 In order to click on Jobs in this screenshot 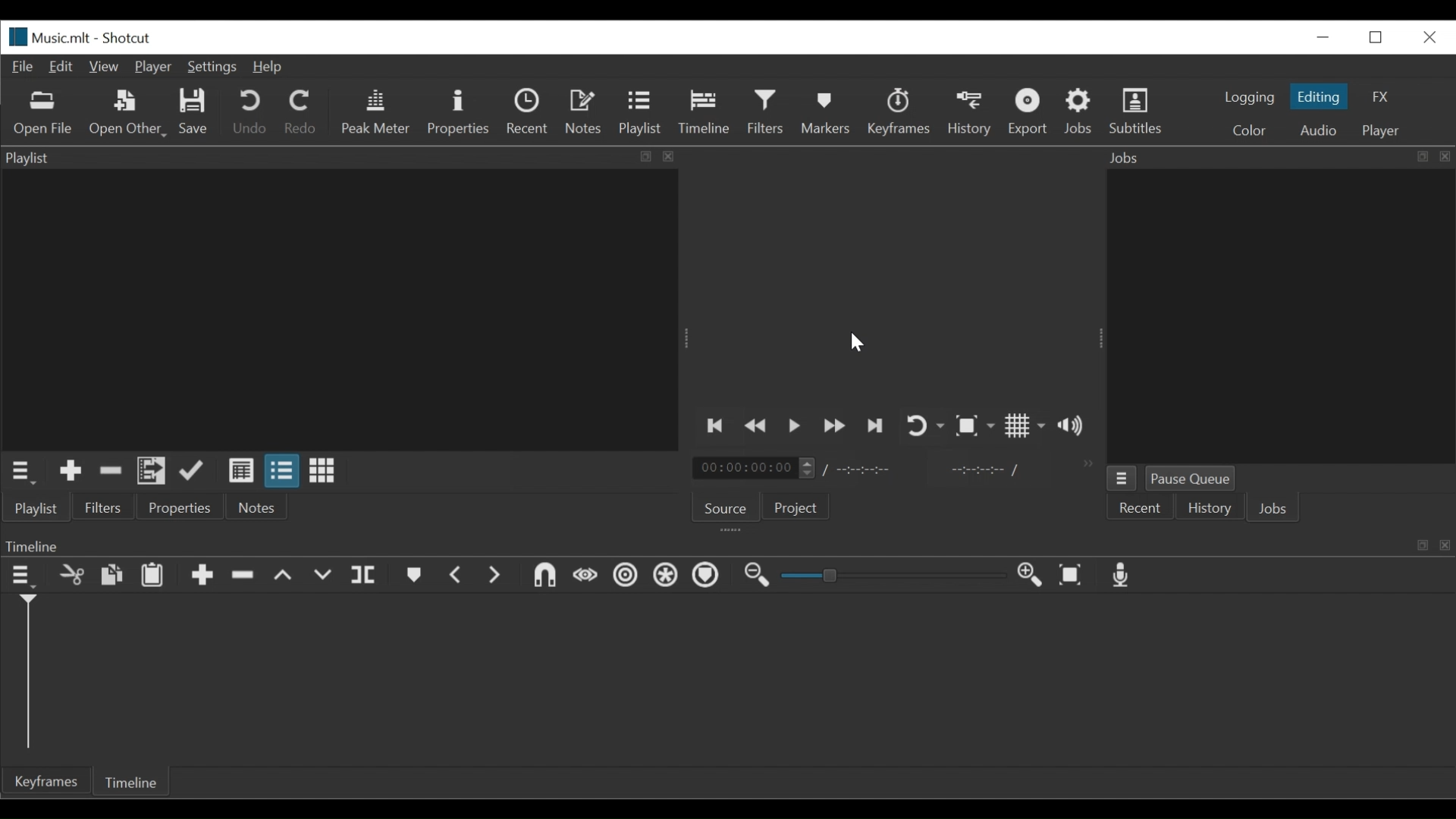, I will do `click(1080, 113)`.